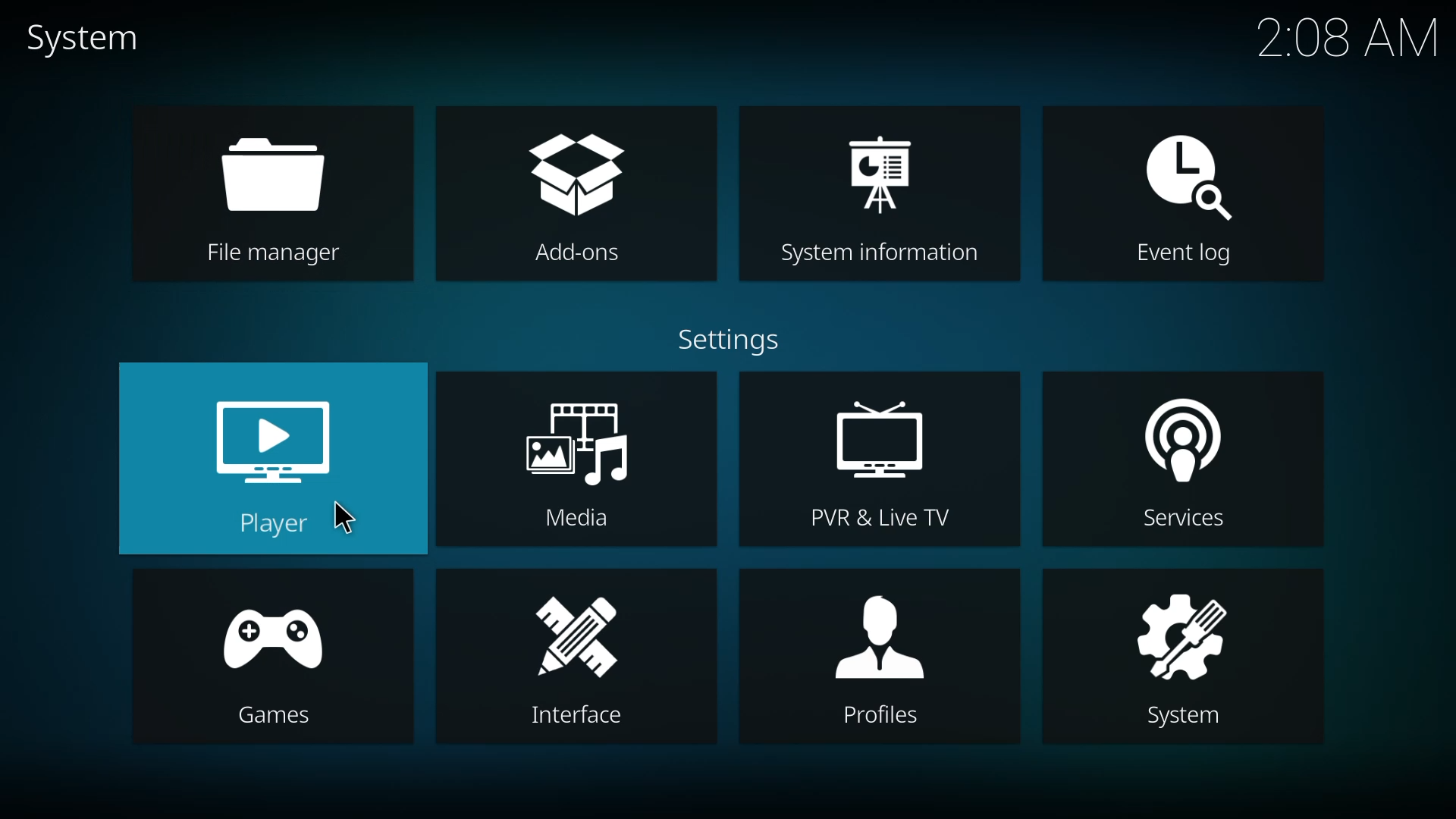 This screenshot has height=819, width=1456. Describe the element at coordinates (86, 36) in the screenshot. I see `system` at that location.